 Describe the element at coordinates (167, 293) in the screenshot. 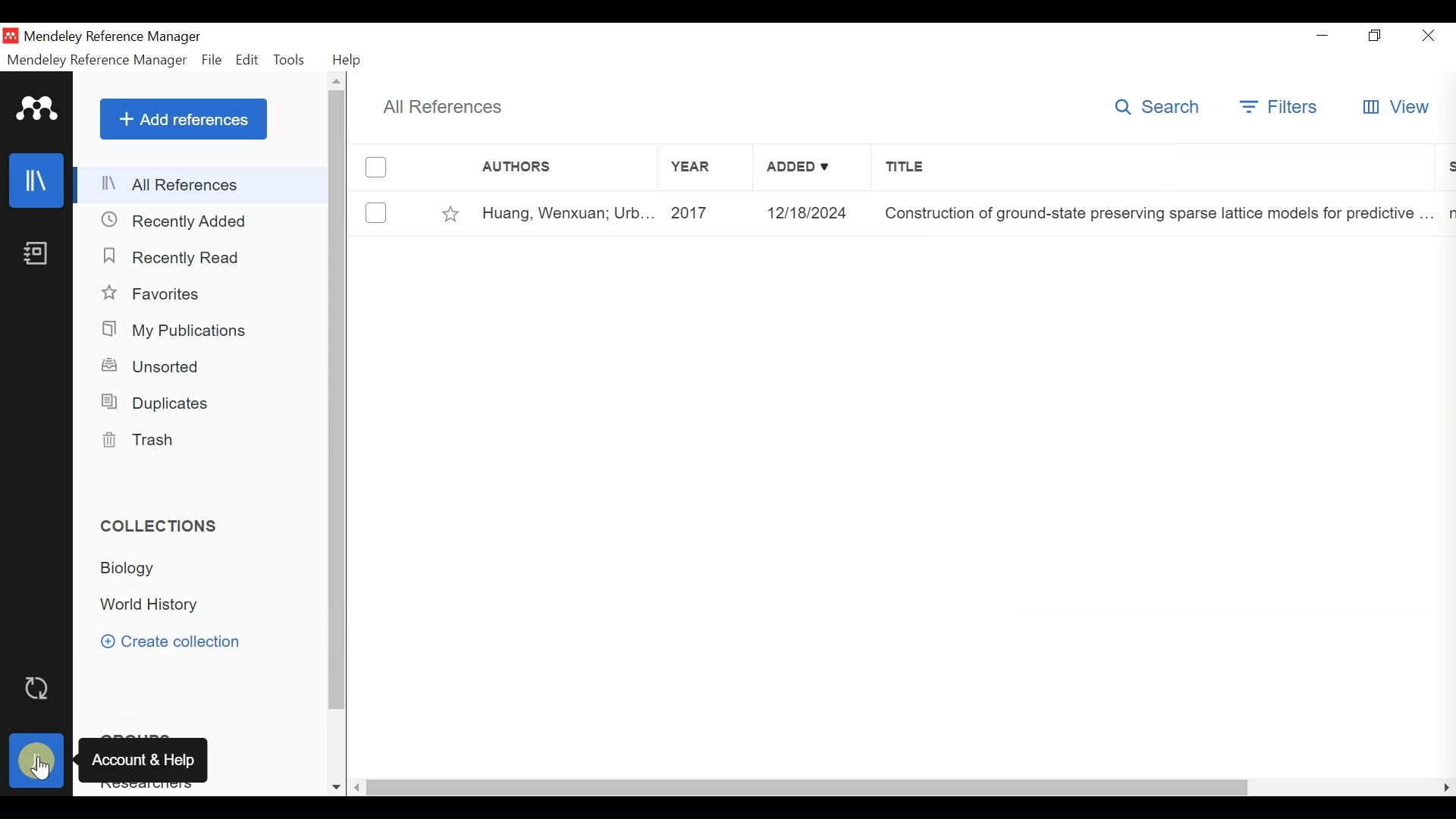

I see `Favorites` at that location.